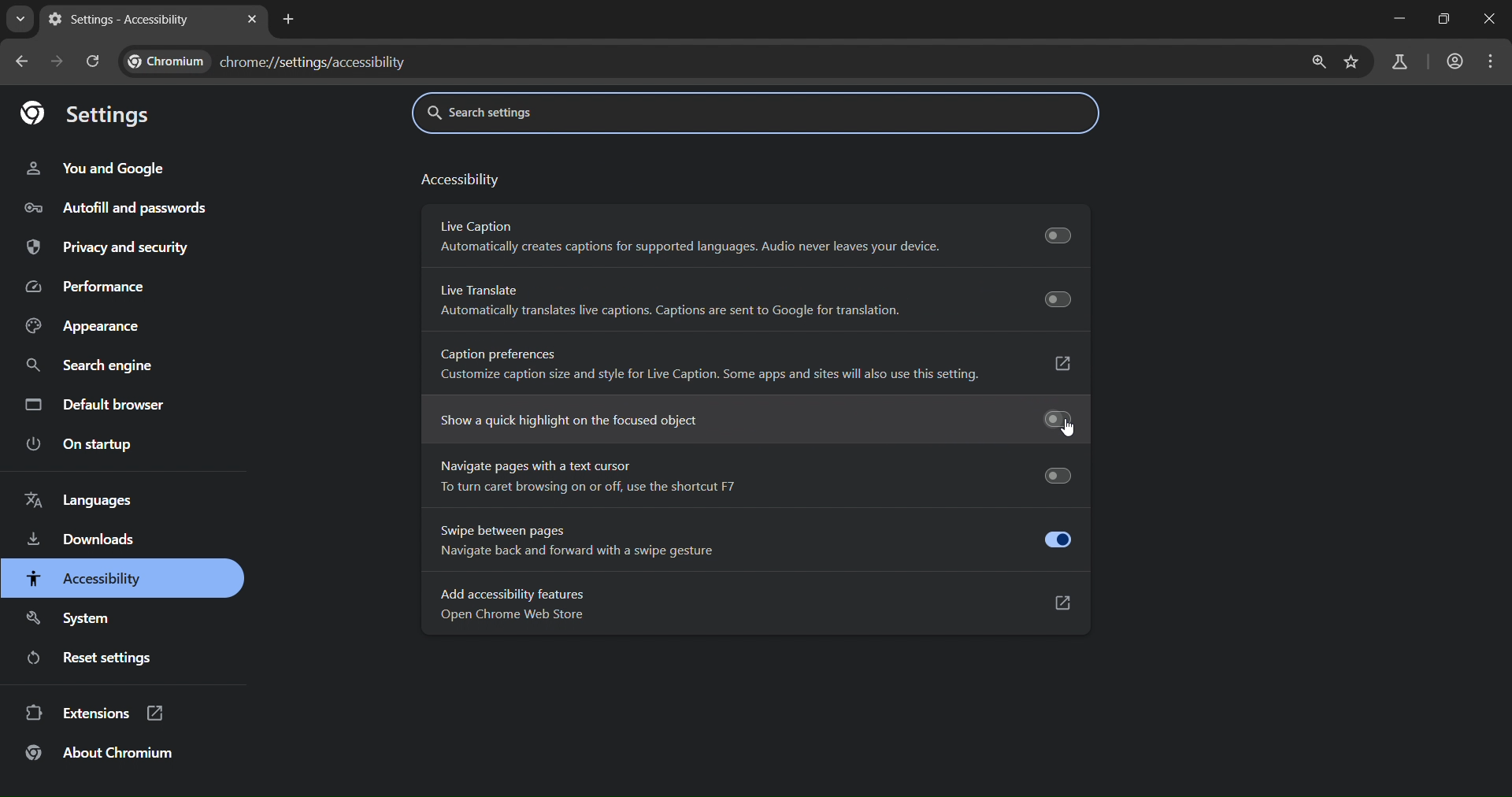 The height and width of the screenshot is (797, 1512). Describe the element at coordinates (58, 66) in the screenshot. I see `go  forward one page` at that location.